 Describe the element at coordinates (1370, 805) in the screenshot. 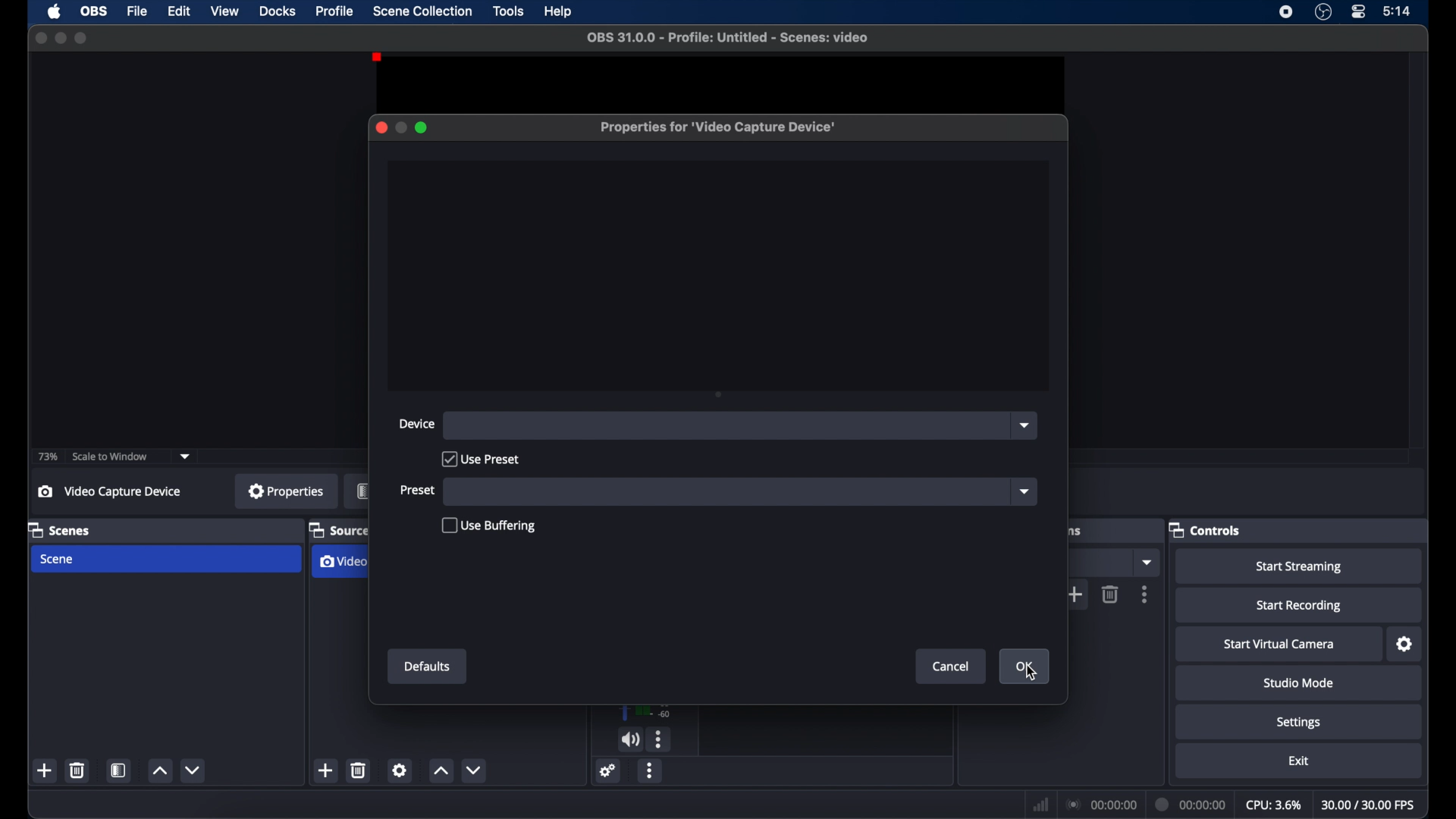

I see `fps` at that location.